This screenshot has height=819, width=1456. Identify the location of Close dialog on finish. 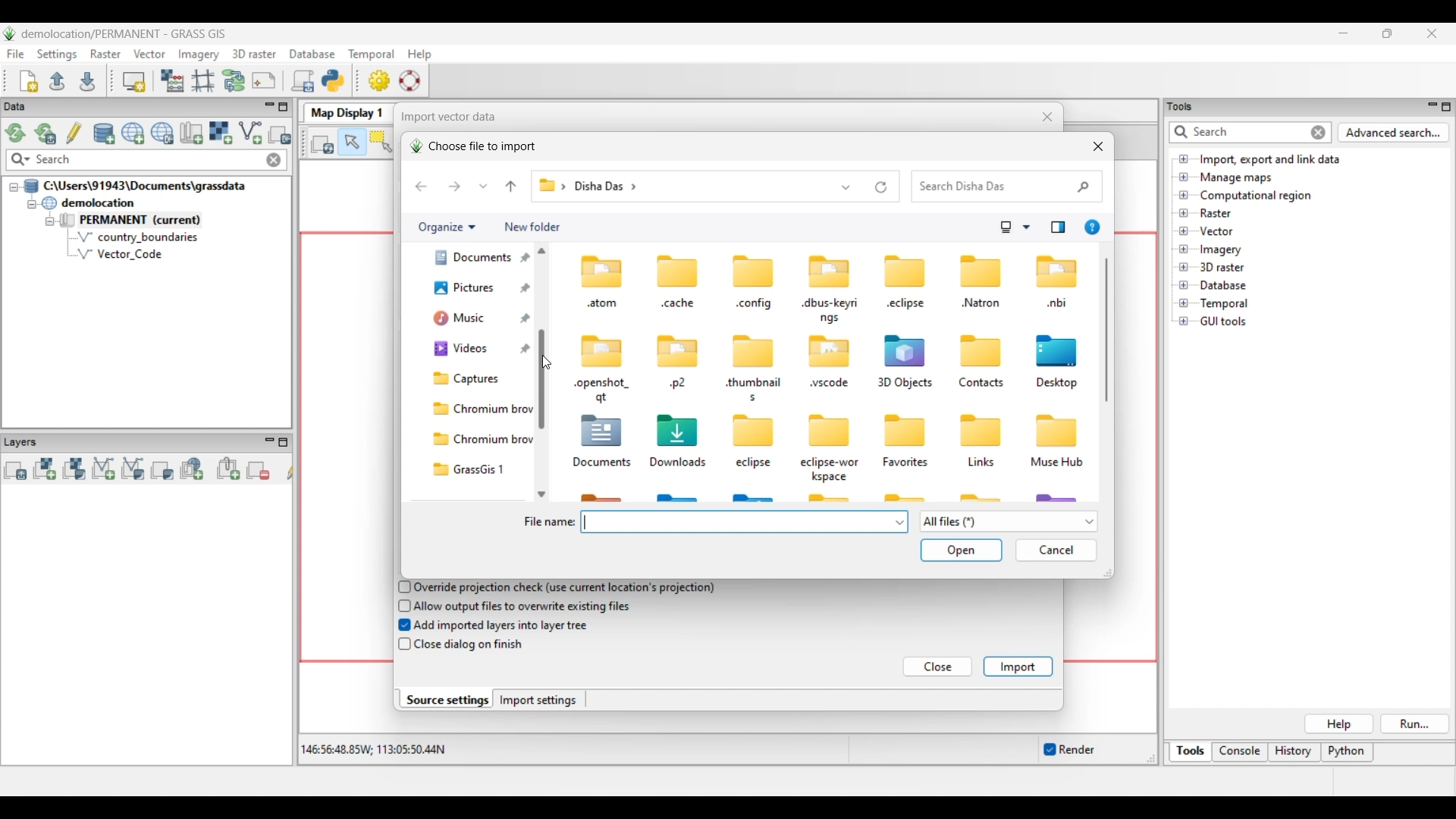
(469, 645).